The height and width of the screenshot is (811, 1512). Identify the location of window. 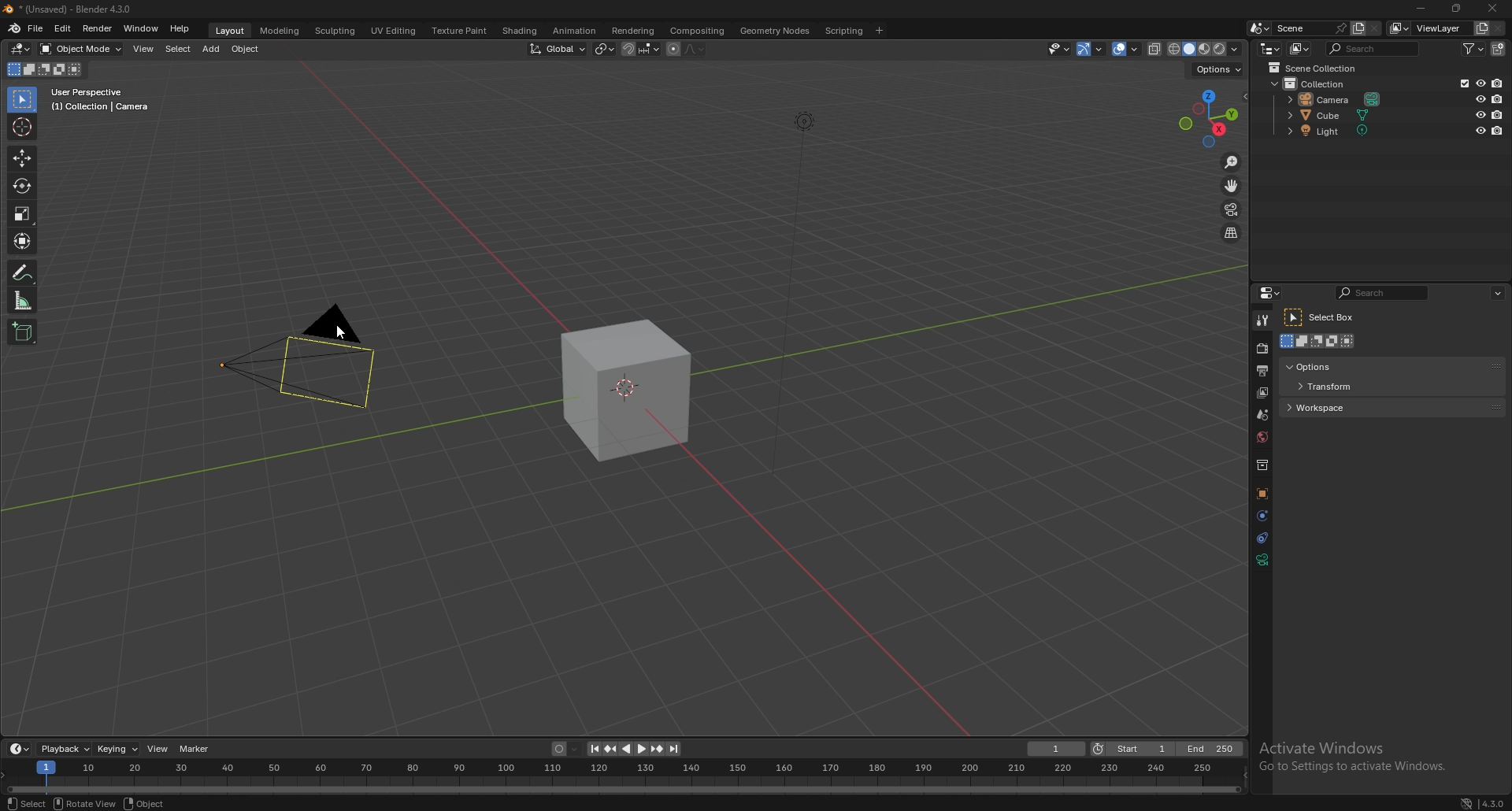
(143, 29).